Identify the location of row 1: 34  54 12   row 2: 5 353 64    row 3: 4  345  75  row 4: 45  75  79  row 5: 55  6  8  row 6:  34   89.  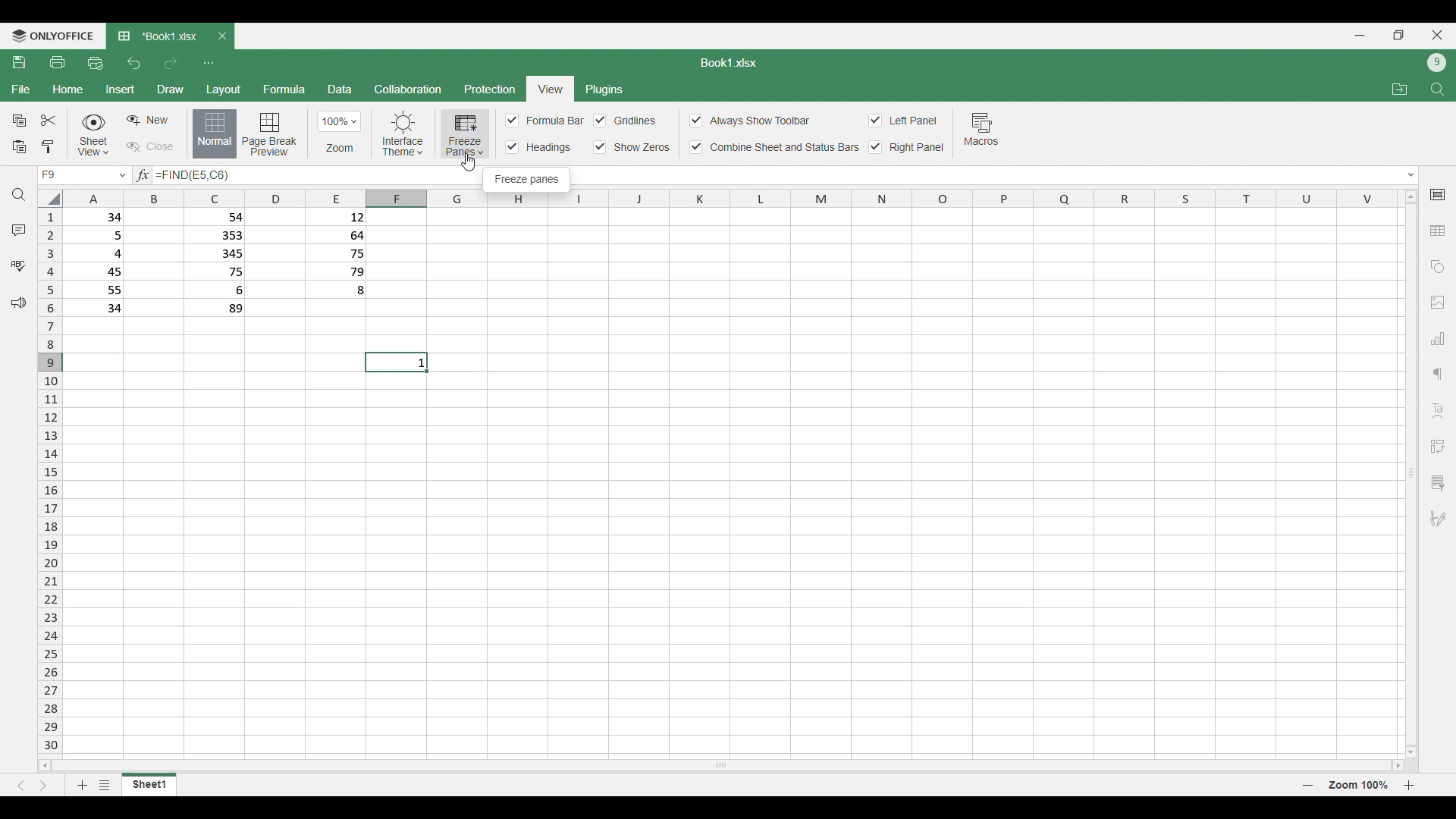
(234, 268).